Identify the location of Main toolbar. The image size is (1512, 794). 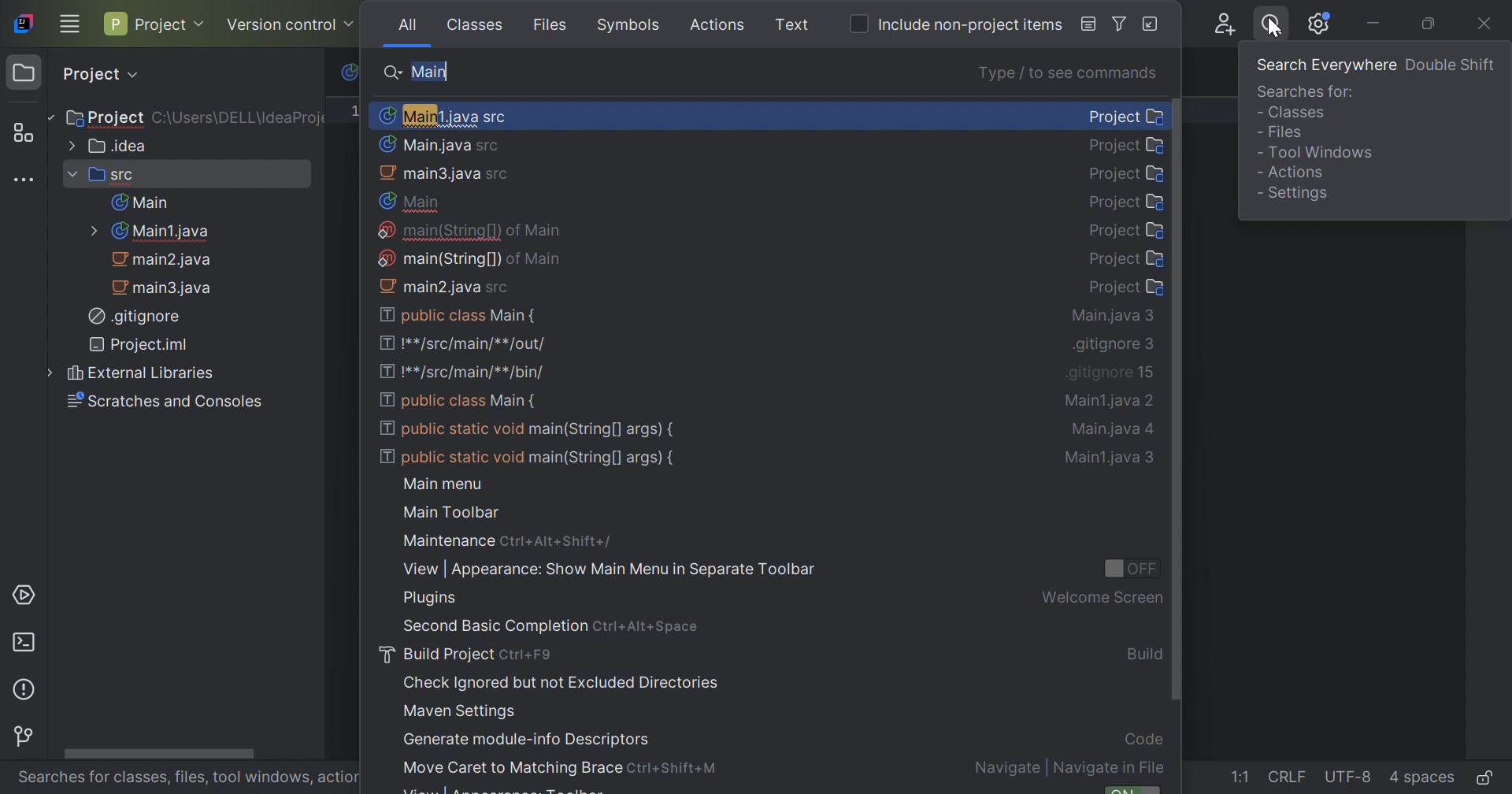
(452, 513).